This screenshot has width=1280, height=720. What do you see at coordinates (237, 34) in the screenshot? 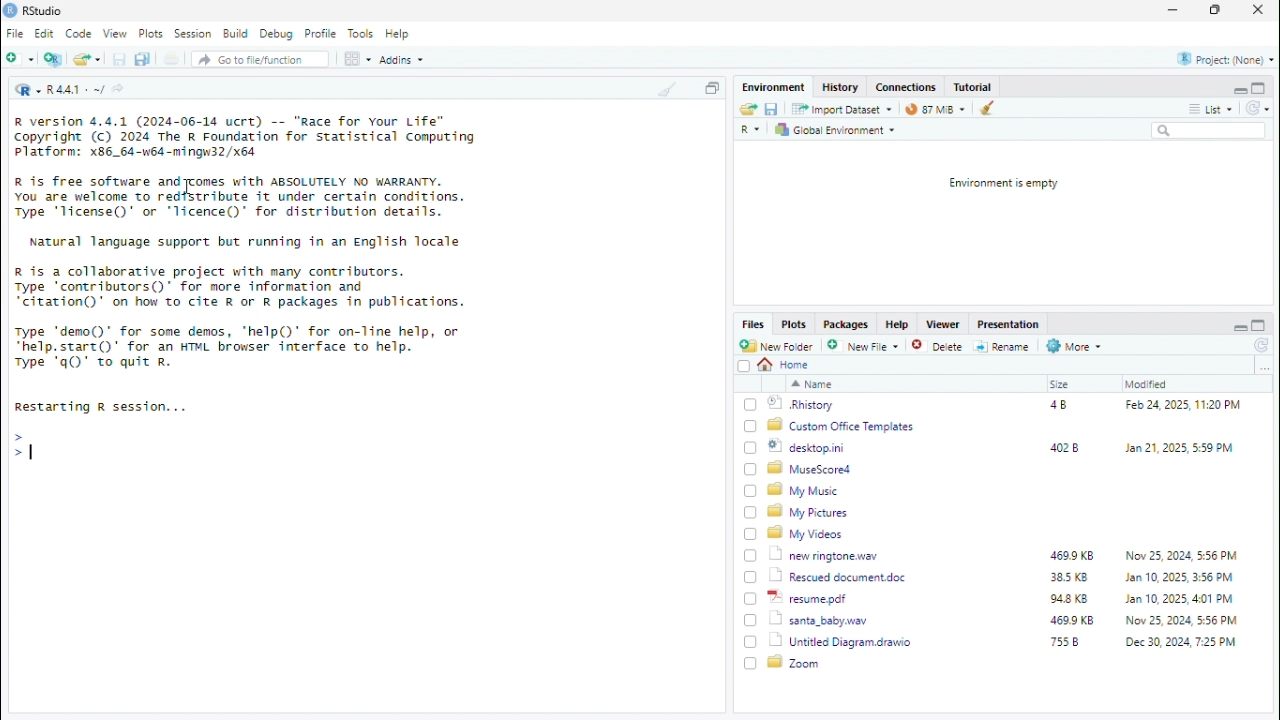
I see `Build` at bounding box center [237, 34].